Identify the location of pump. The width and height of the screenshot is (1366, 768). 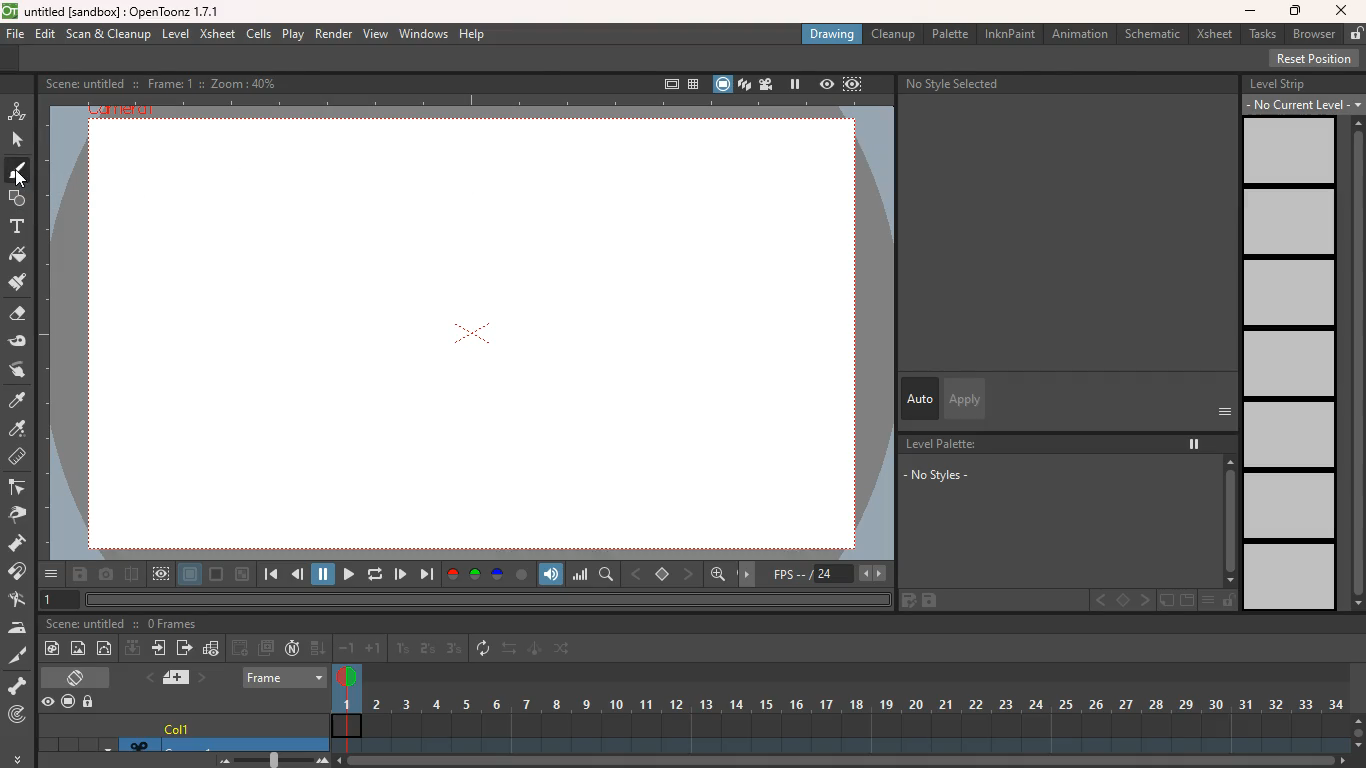
(23, 544).